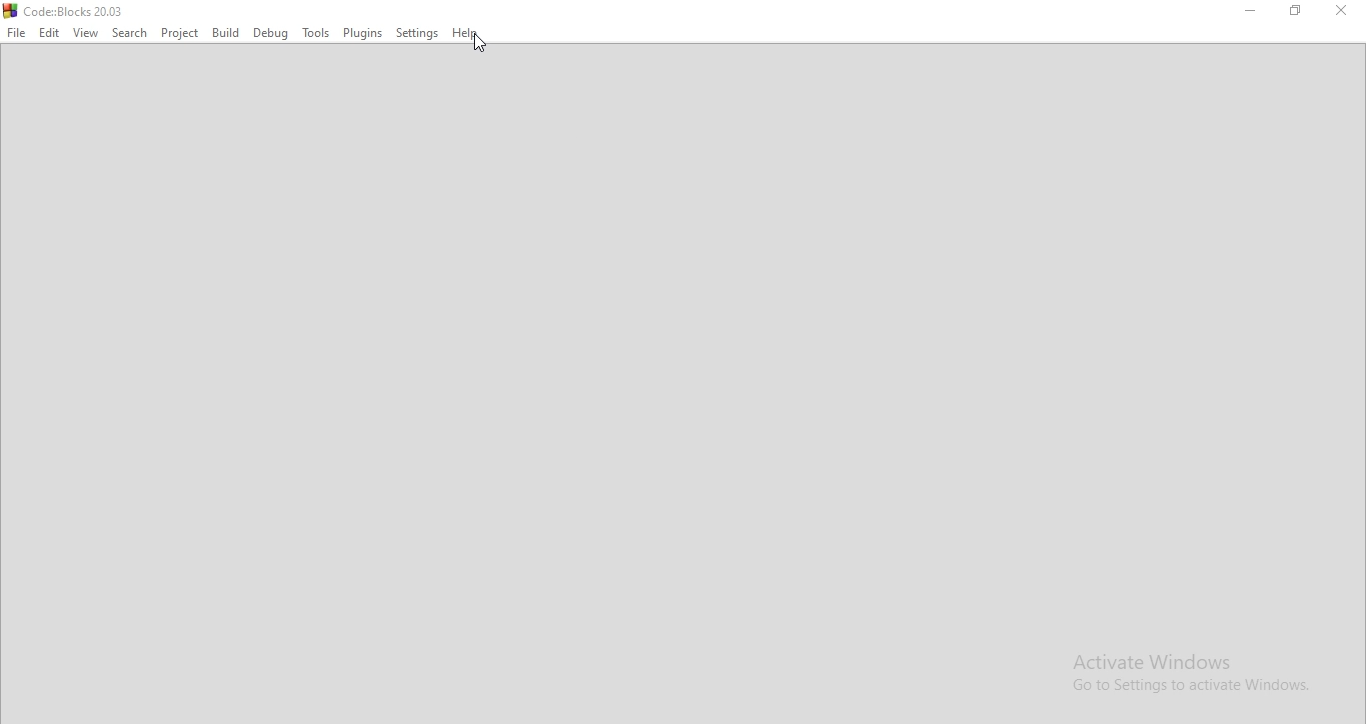  What do you see at coordinates (414, 32) in the screenshot?
I see `Settings ` at bounding box center [414, 32].